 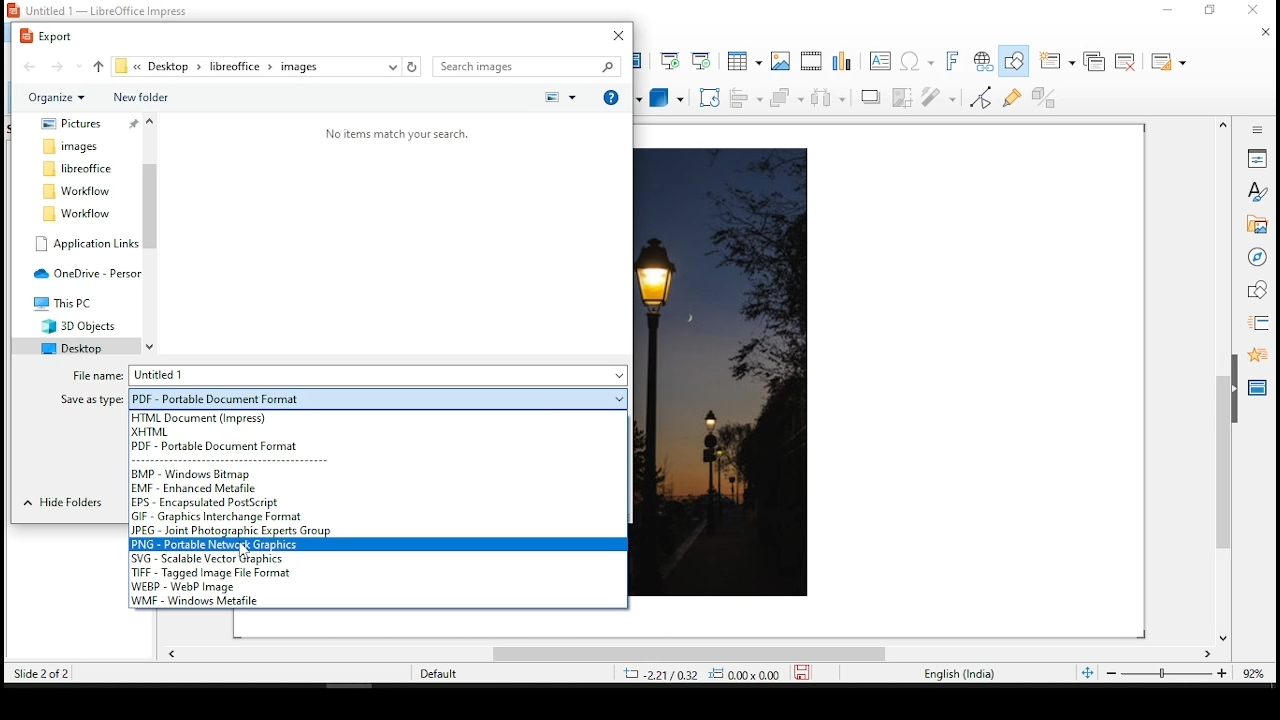 What do you see at coordinates (743, 59) in the screenshot?
I see `tables` at bounding box center [743, 59].